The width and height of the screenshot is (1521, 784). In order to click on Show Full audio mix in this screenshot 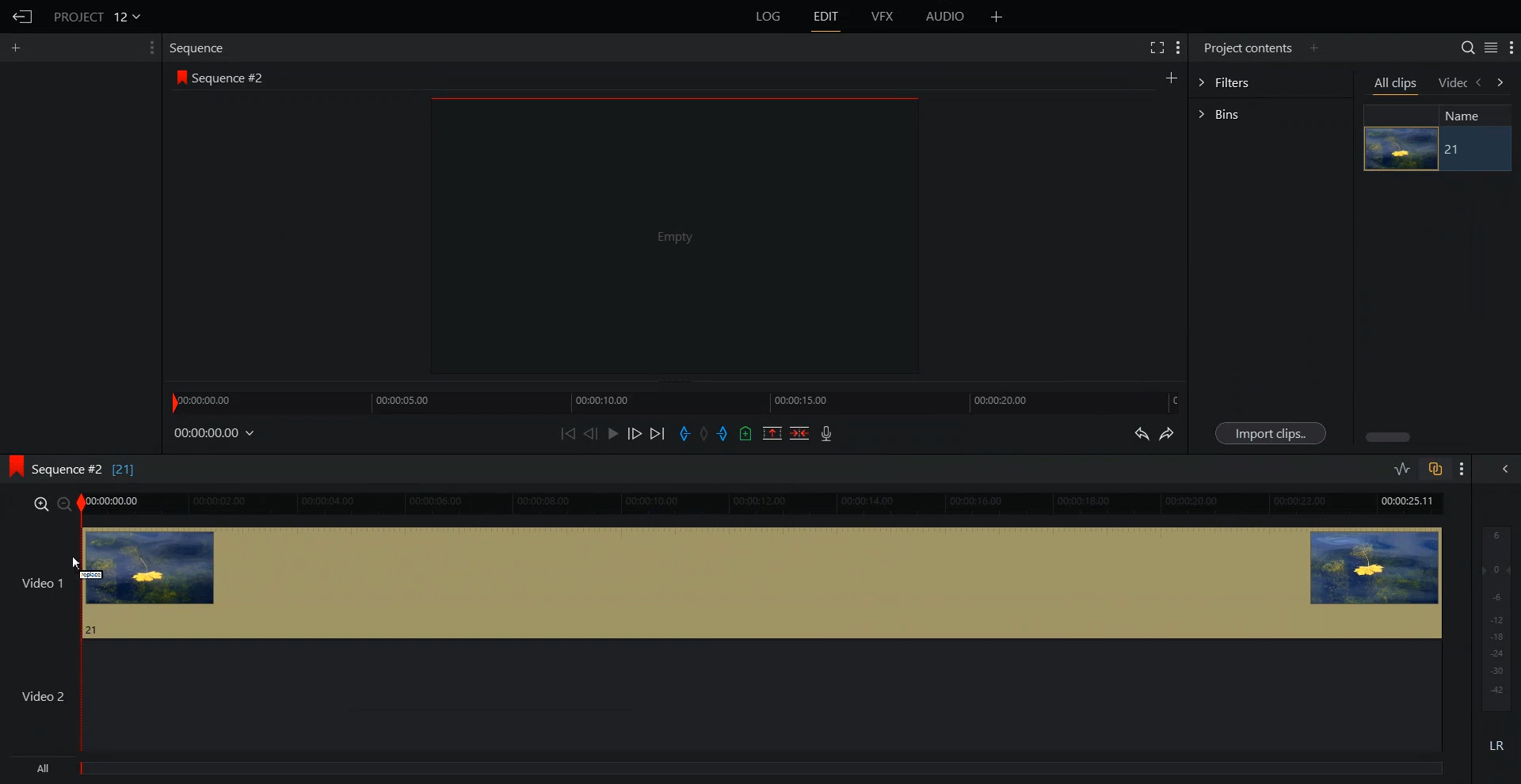, I will do `click(1500, 469)`.